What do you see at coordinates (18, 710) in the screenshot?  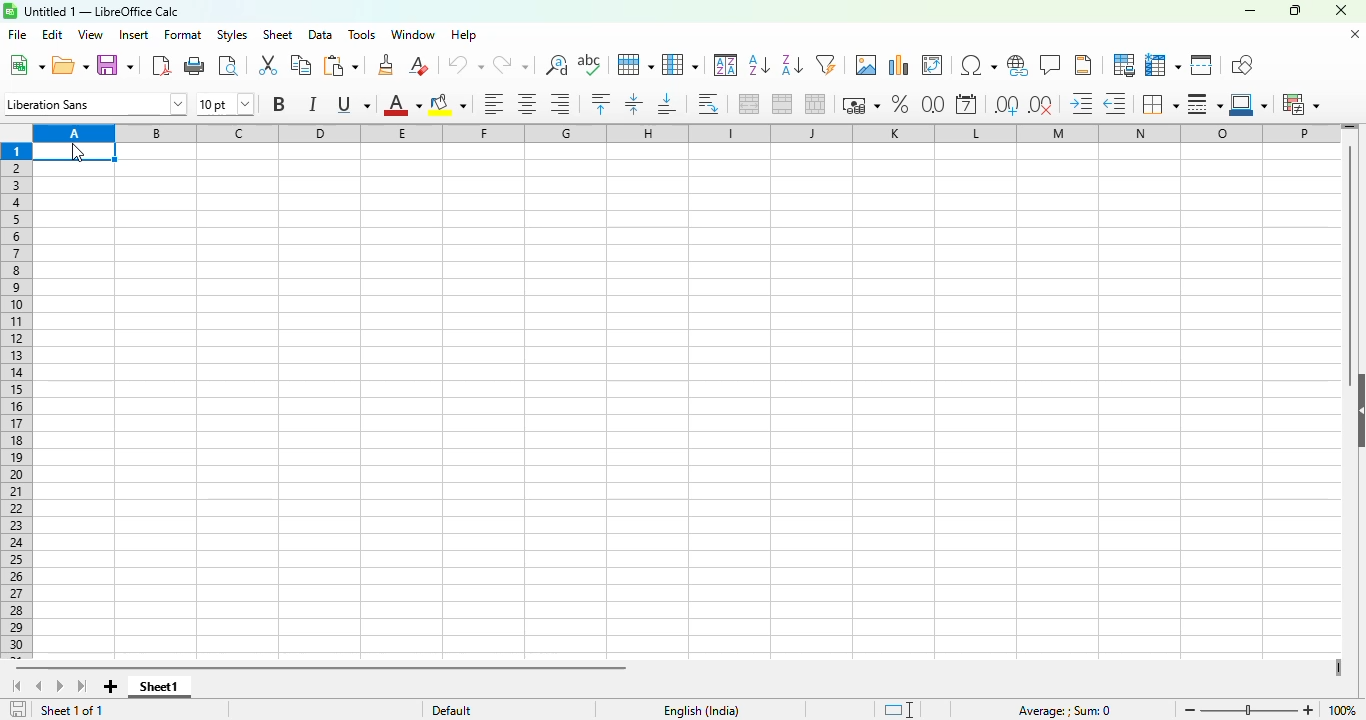 I see `click to save the document` at bounding box center [18, 710].